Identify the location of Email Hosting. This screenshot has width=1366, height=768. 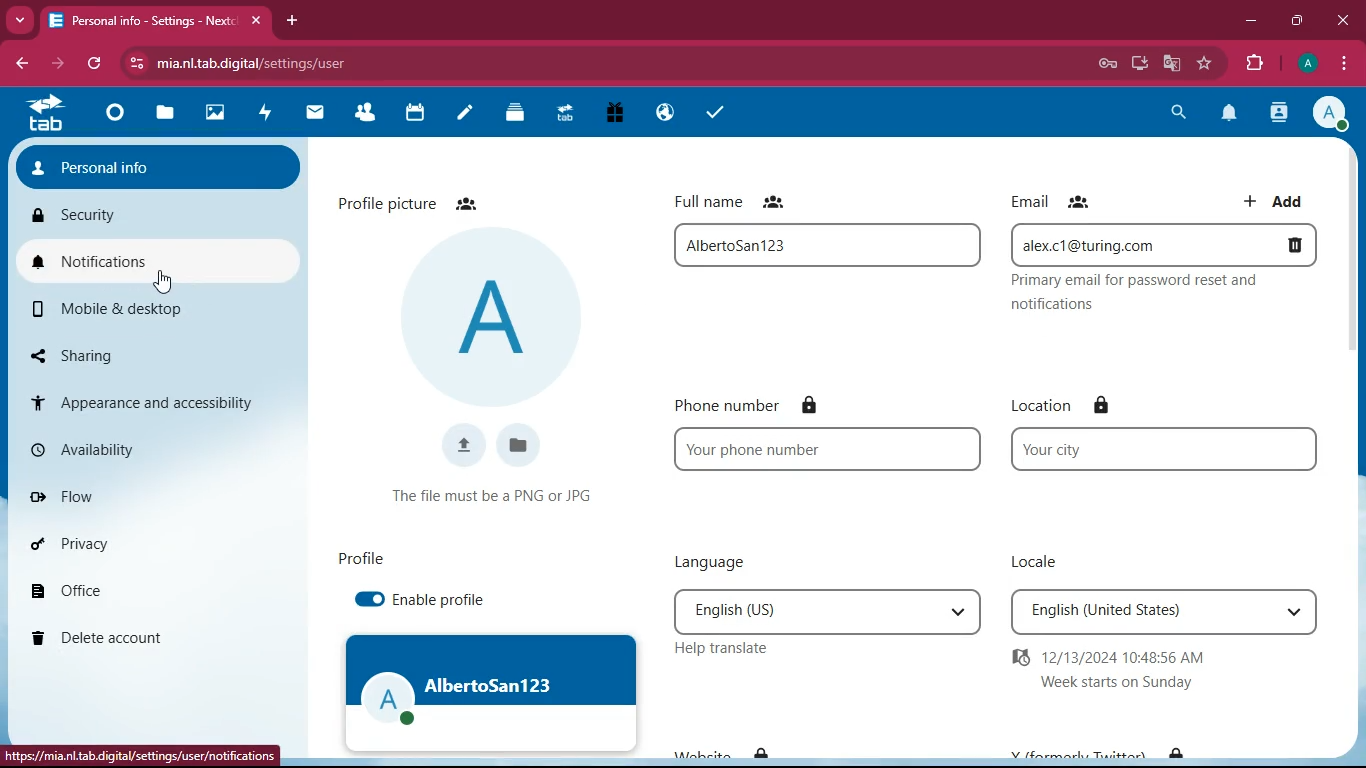
(666, 114).